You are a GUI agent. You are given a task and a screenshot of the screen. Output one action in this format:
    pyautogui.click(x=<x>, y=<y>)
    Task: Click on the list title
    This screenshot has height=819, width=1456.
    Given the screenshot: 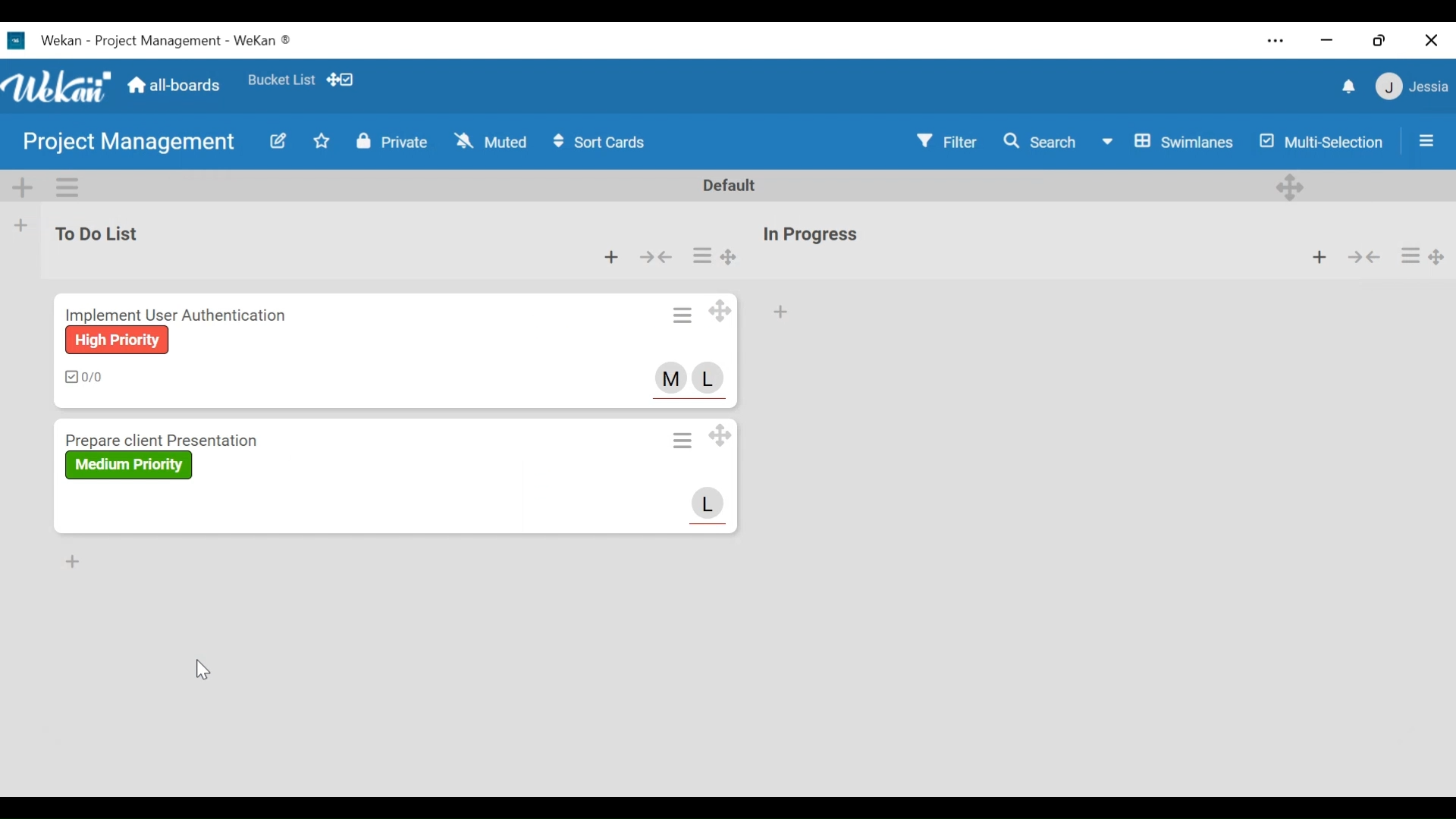 What is the action you would take?
    pyautogui.click(x=811, y=234)
    